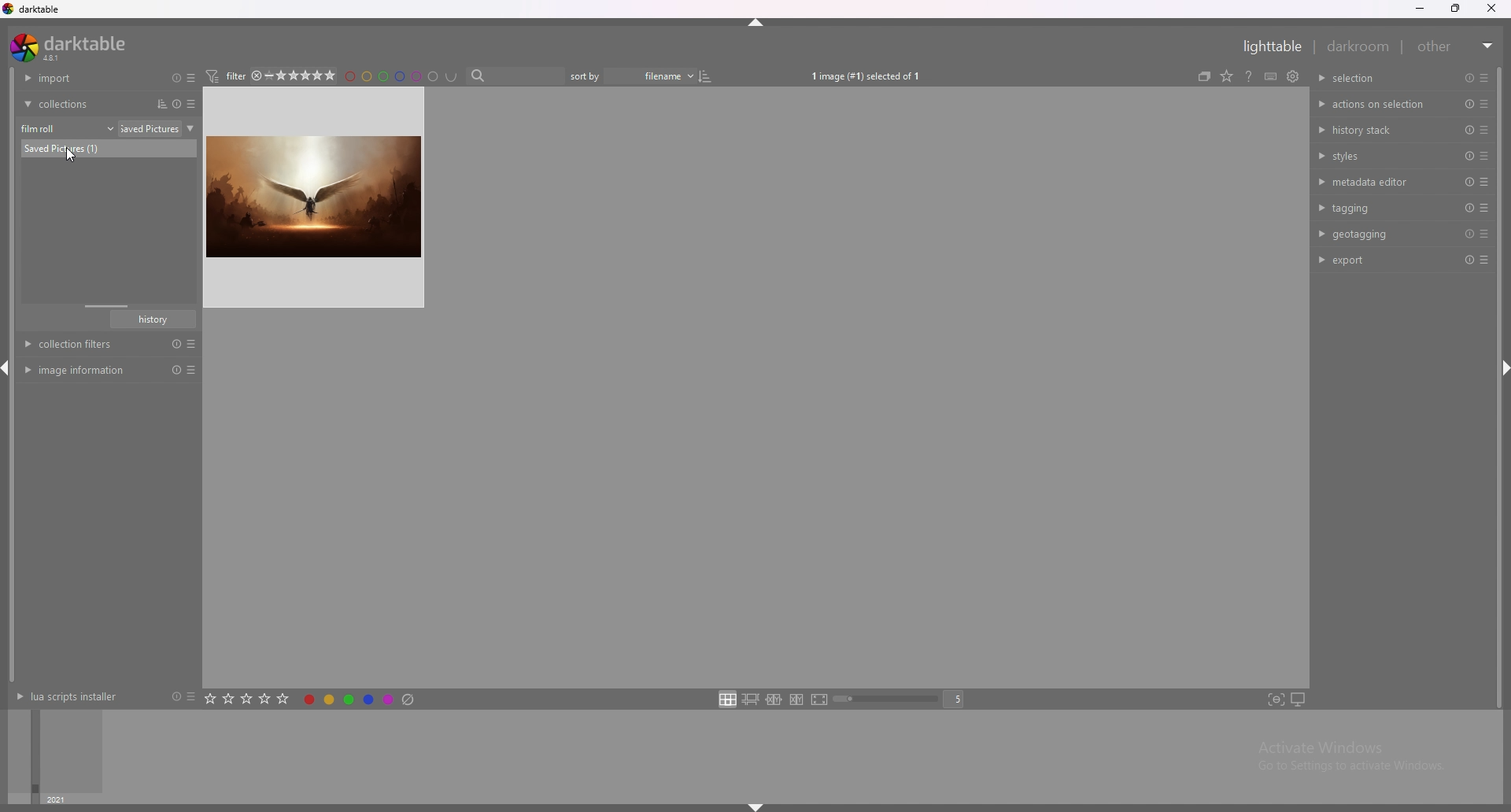  What do you see at coordinates (716, 76) in the screenshot?
I see `toggle` at bounding box center [716, 76].